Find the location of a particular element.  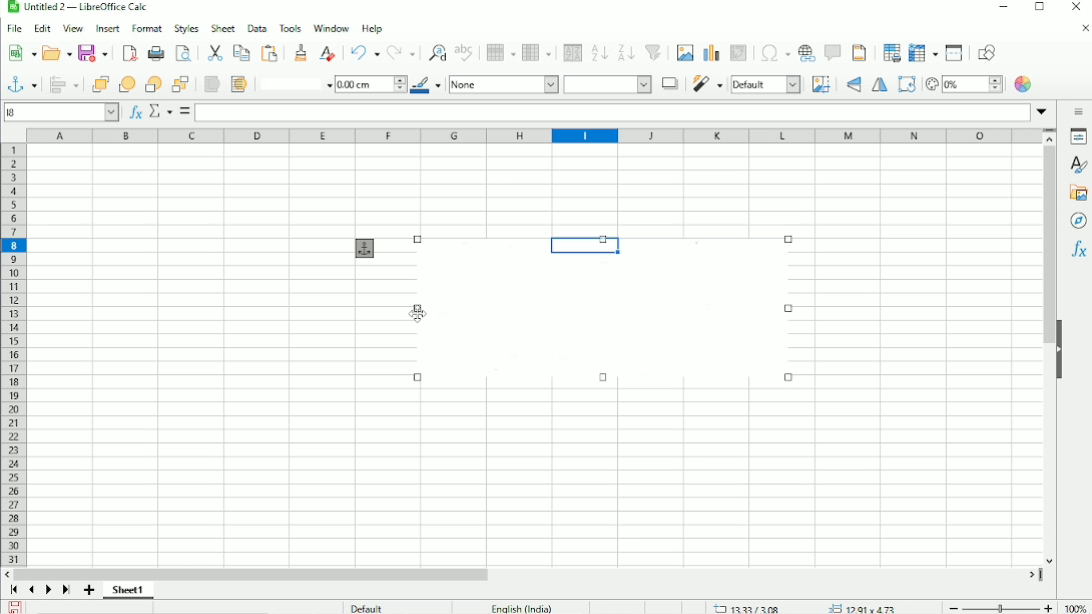

Color is located at coordinates (1025, 84).